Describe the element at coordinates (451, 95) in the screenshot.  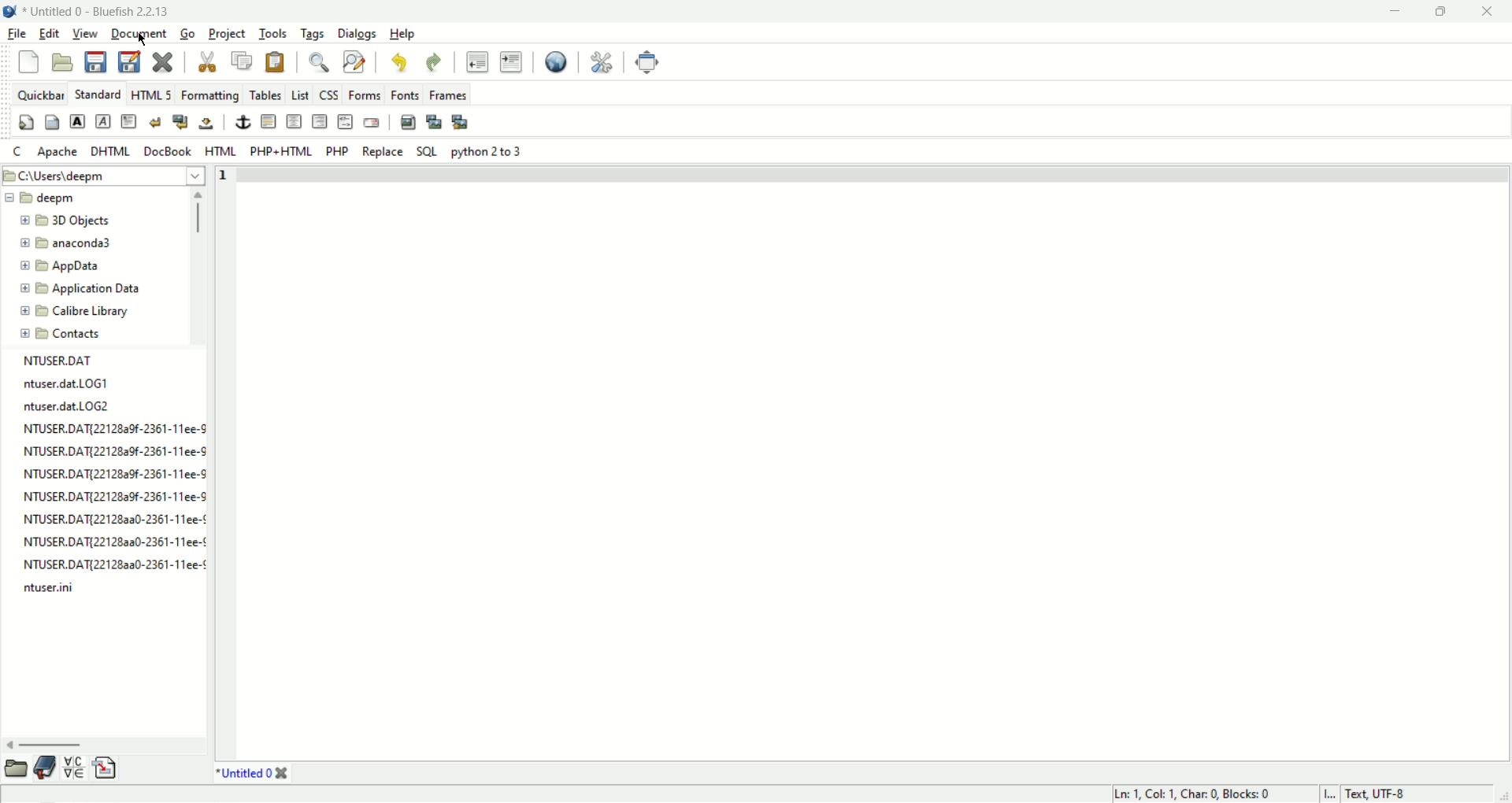
I see `frames` at that location.